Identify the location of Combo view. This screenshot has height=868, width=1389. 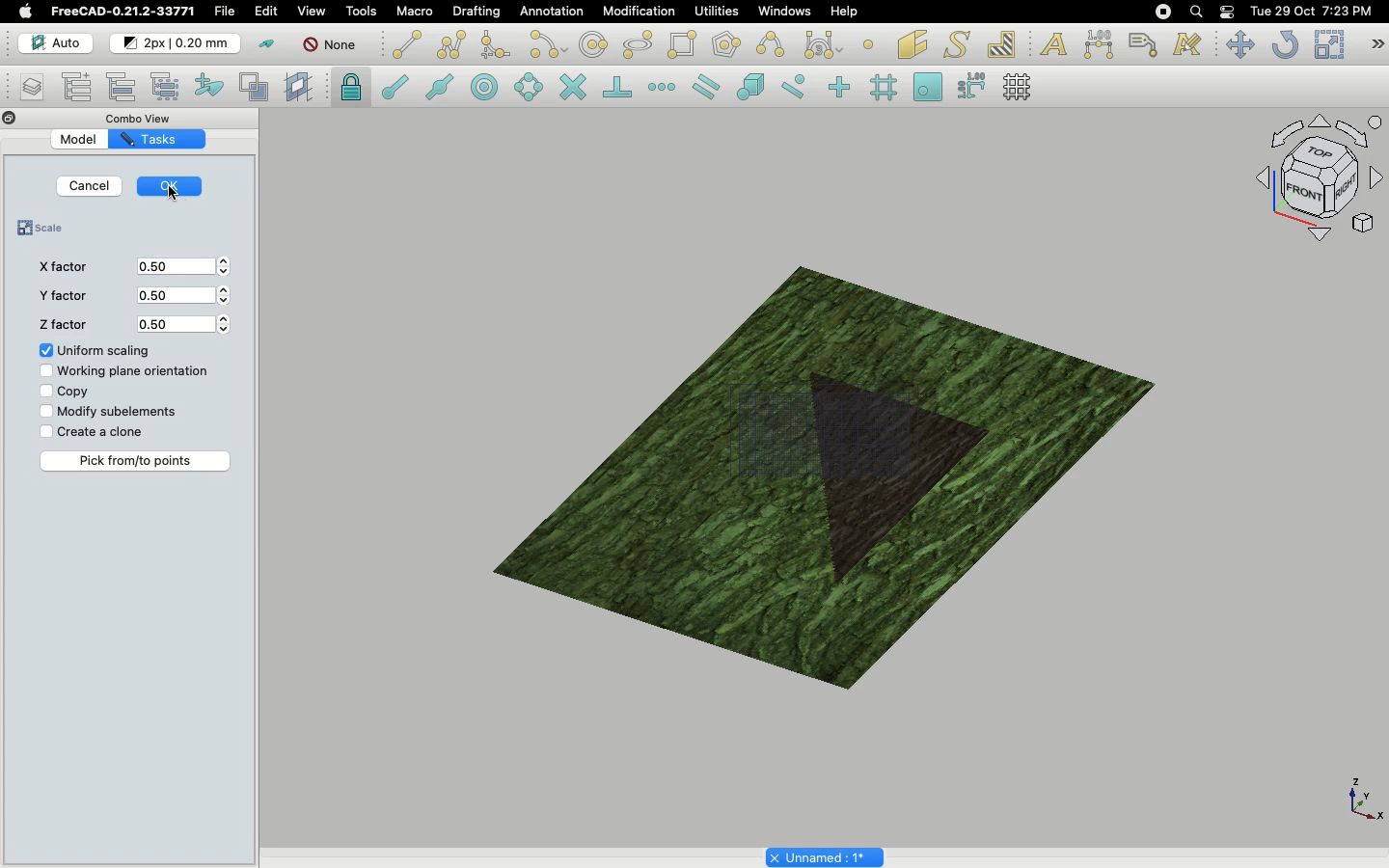
(143, 116).